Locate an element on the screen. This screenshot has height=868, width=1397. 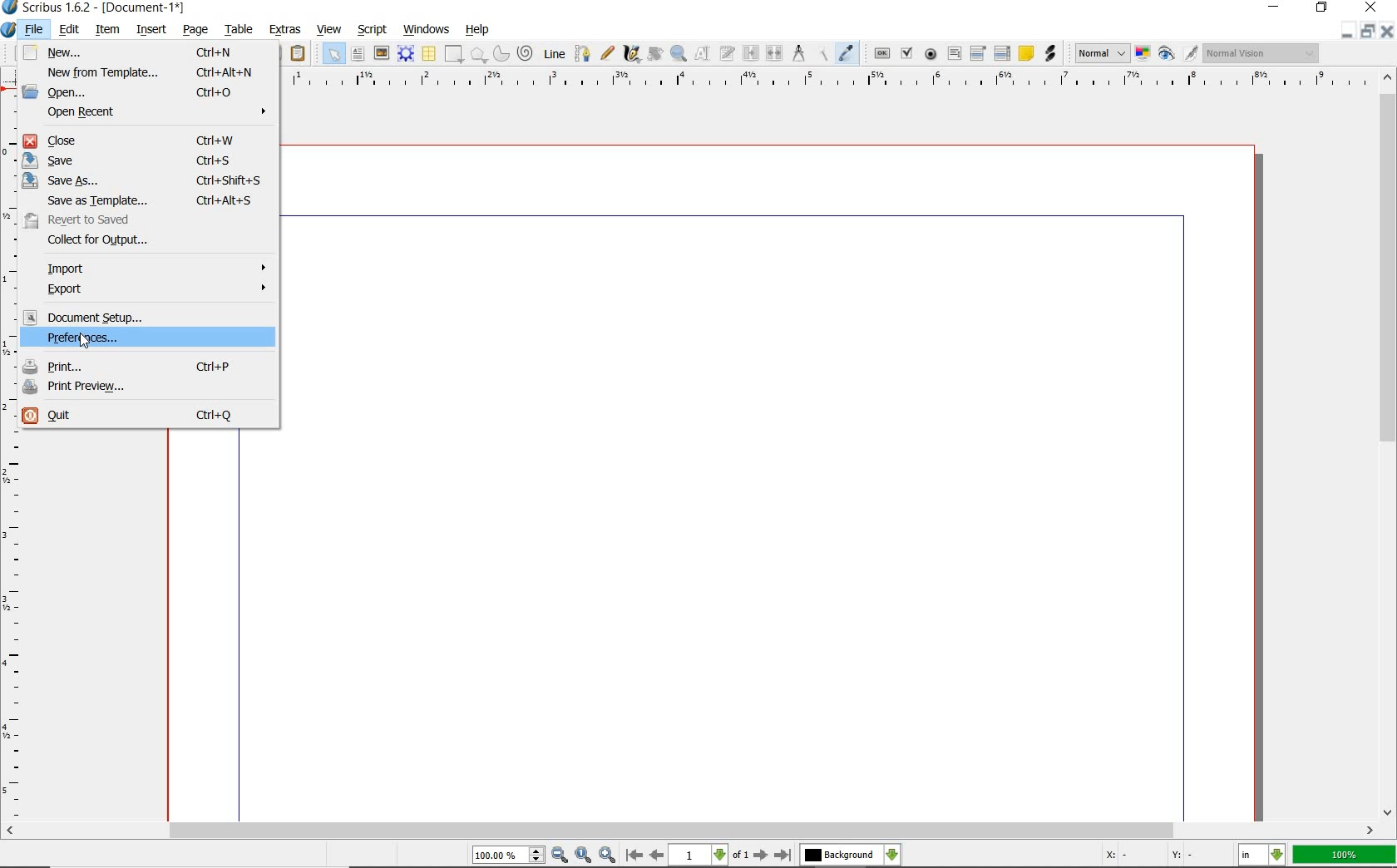
paste is located at coordinates (300, 55).